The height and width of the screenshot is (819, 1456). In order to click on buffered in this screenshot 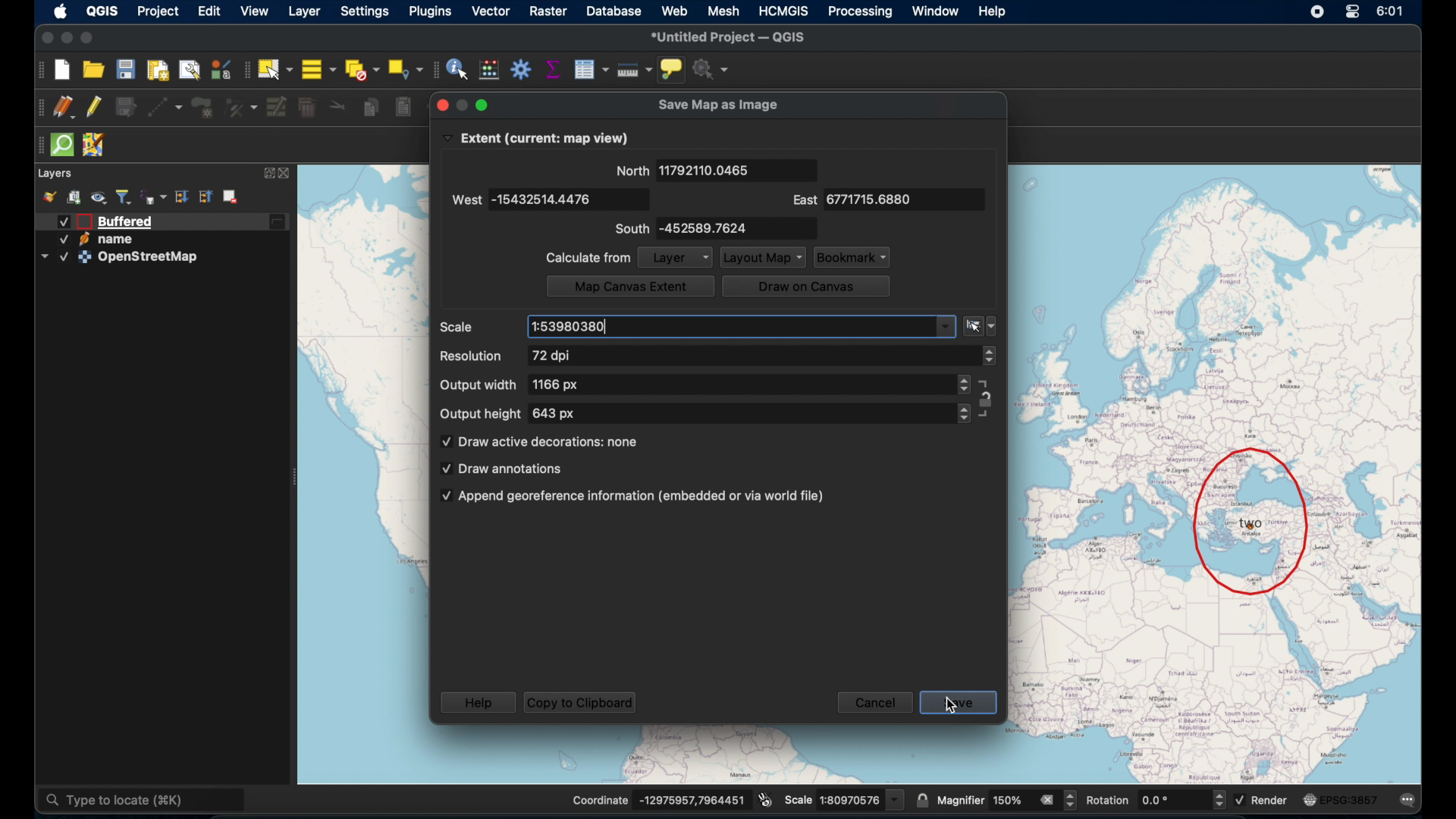, I will do `click(125, 221)`.